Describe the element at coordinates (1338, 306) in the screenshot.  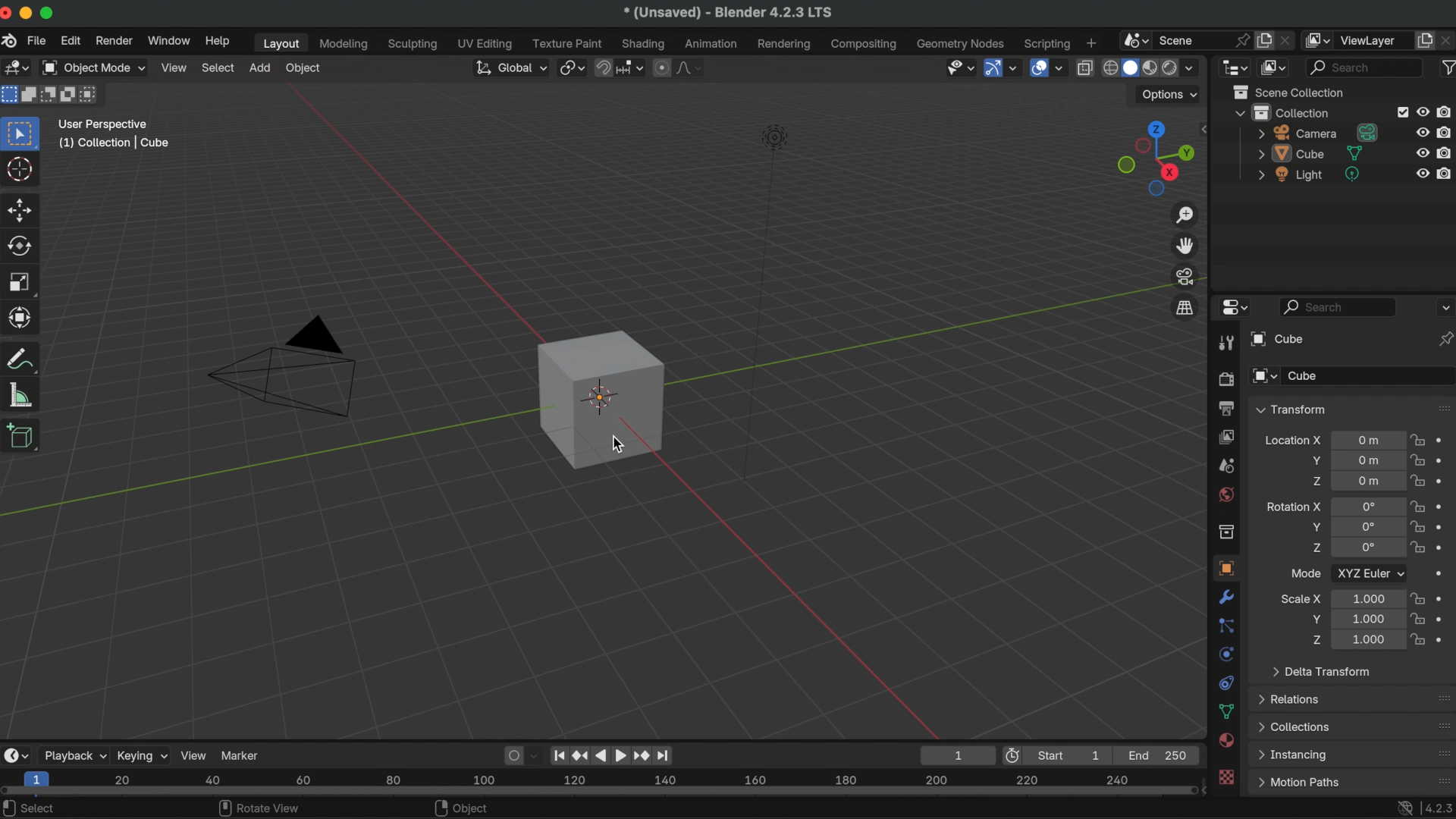
I see `search bar` at that location.